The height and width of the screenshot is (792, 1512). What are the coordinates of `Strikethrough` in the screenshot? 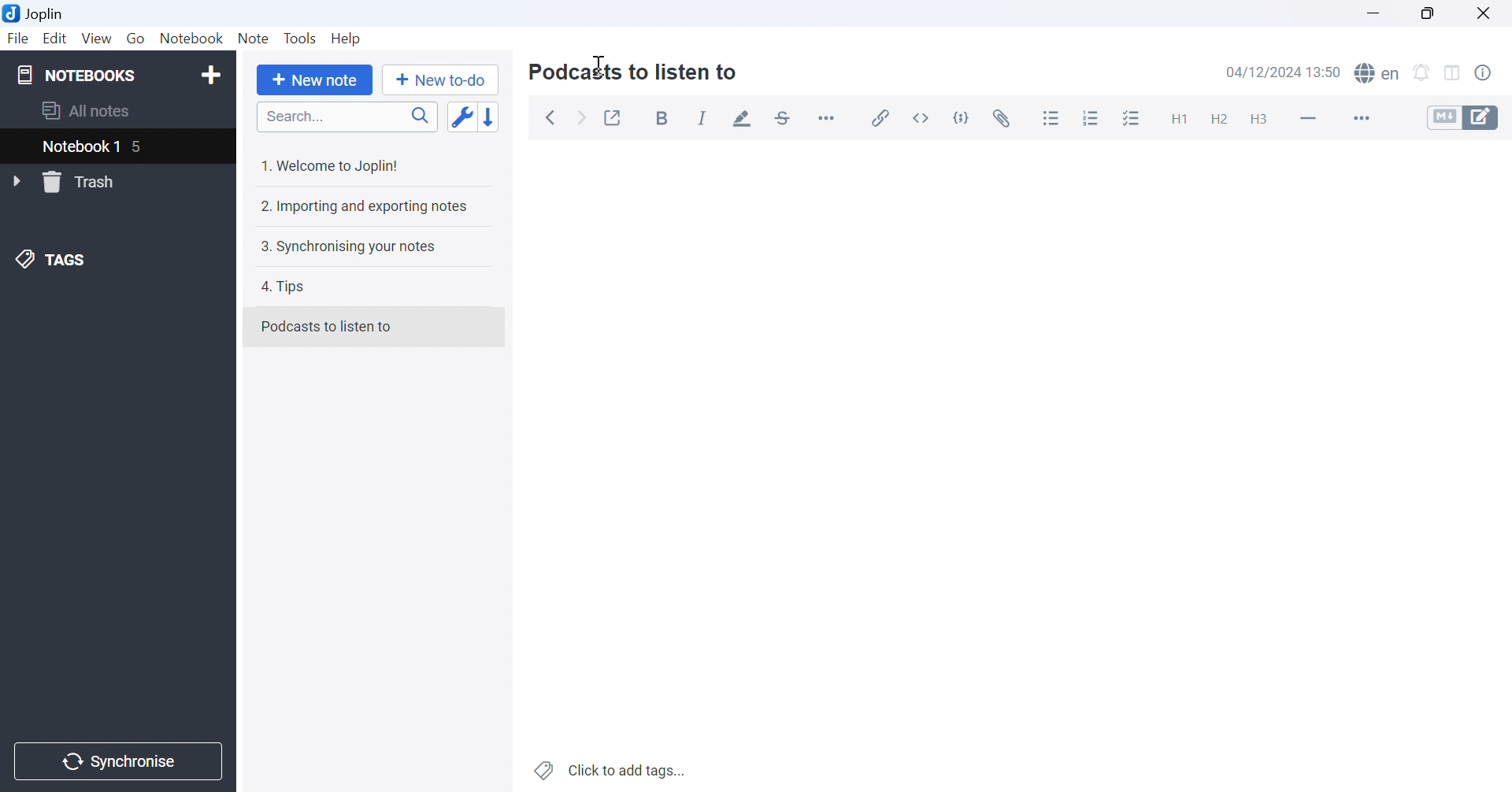 It's located at (784, 117).